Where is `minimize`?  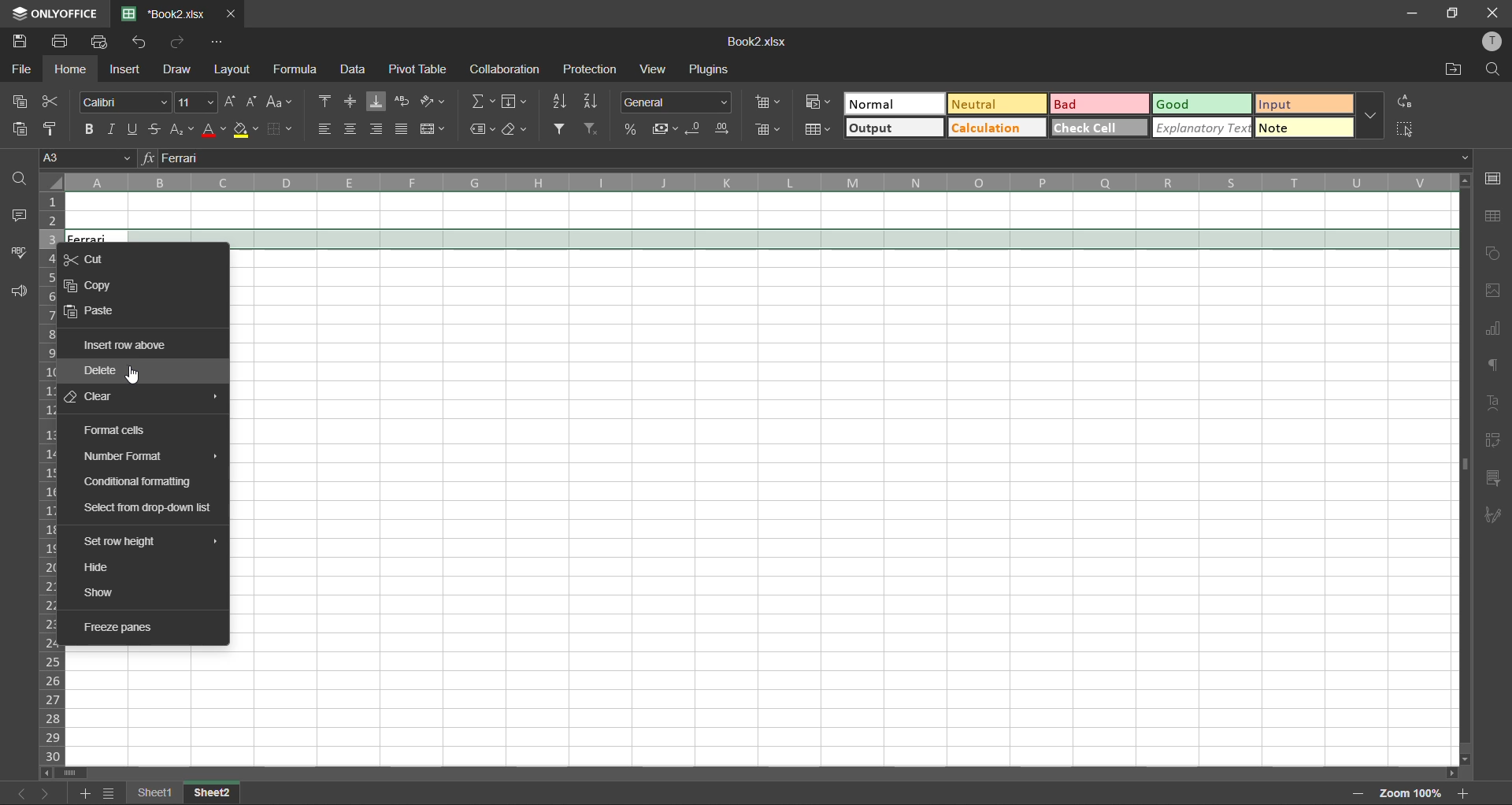
minimize is located at coordinates (1410, 13).